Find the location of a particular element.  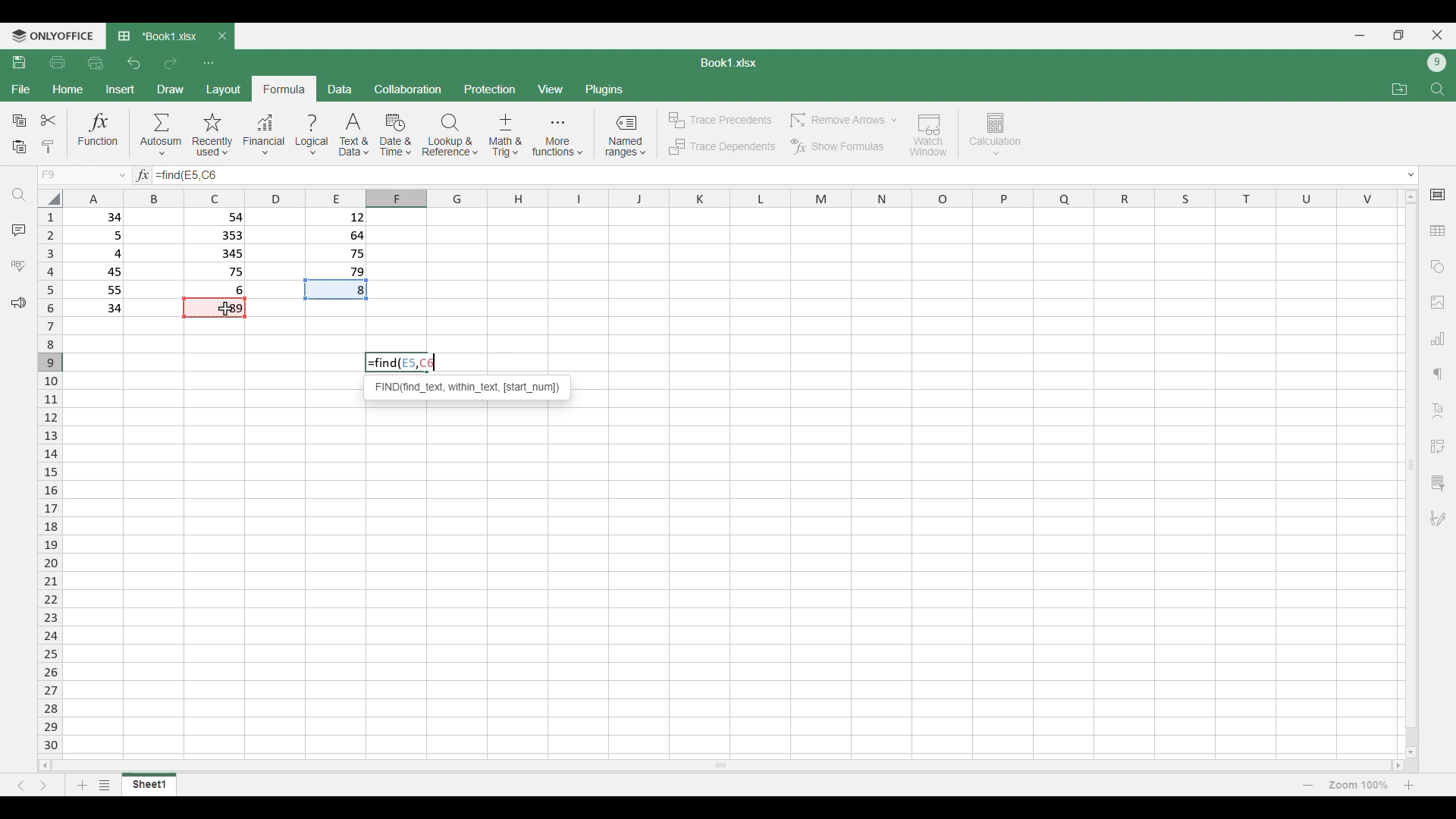

Expand text box is located at coordinates (1412, 175).